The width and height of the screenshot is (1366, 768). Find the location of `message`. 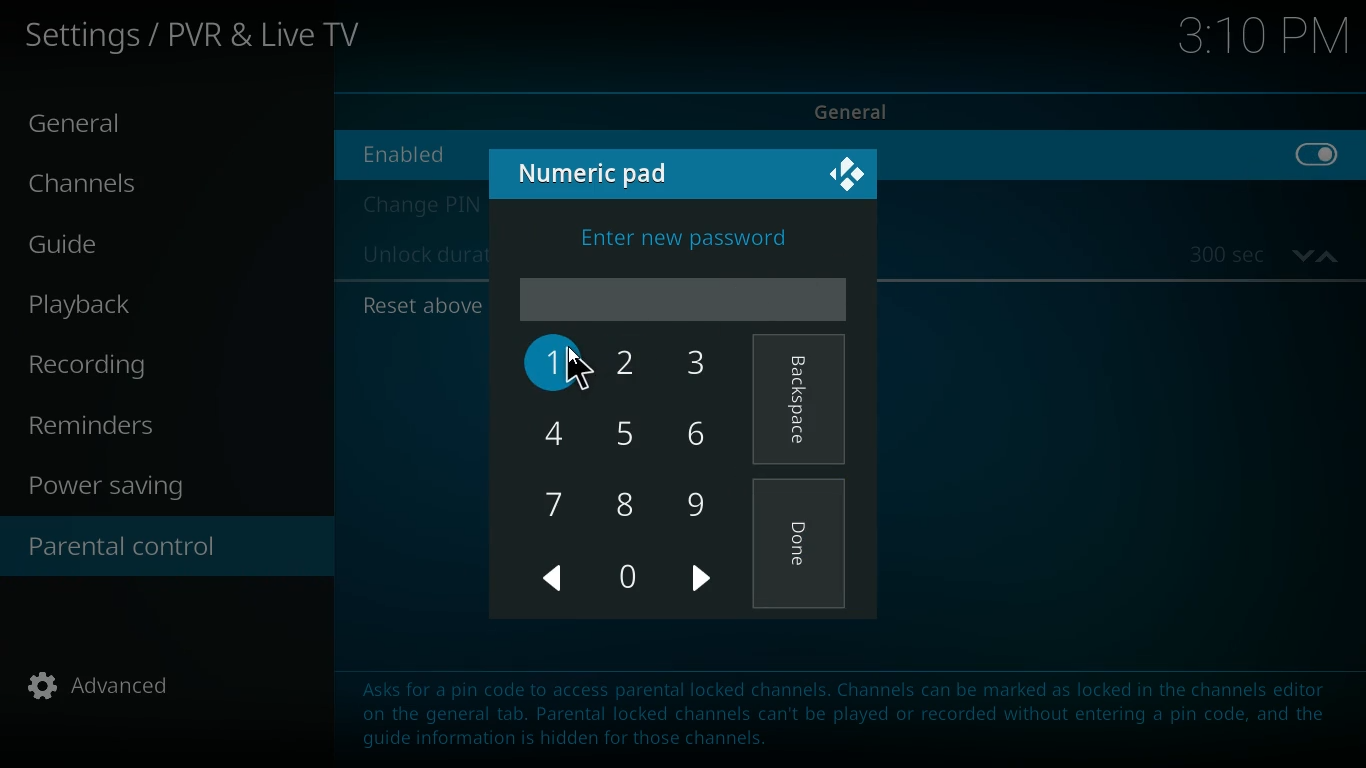

message is located at coordinates (832, 708).